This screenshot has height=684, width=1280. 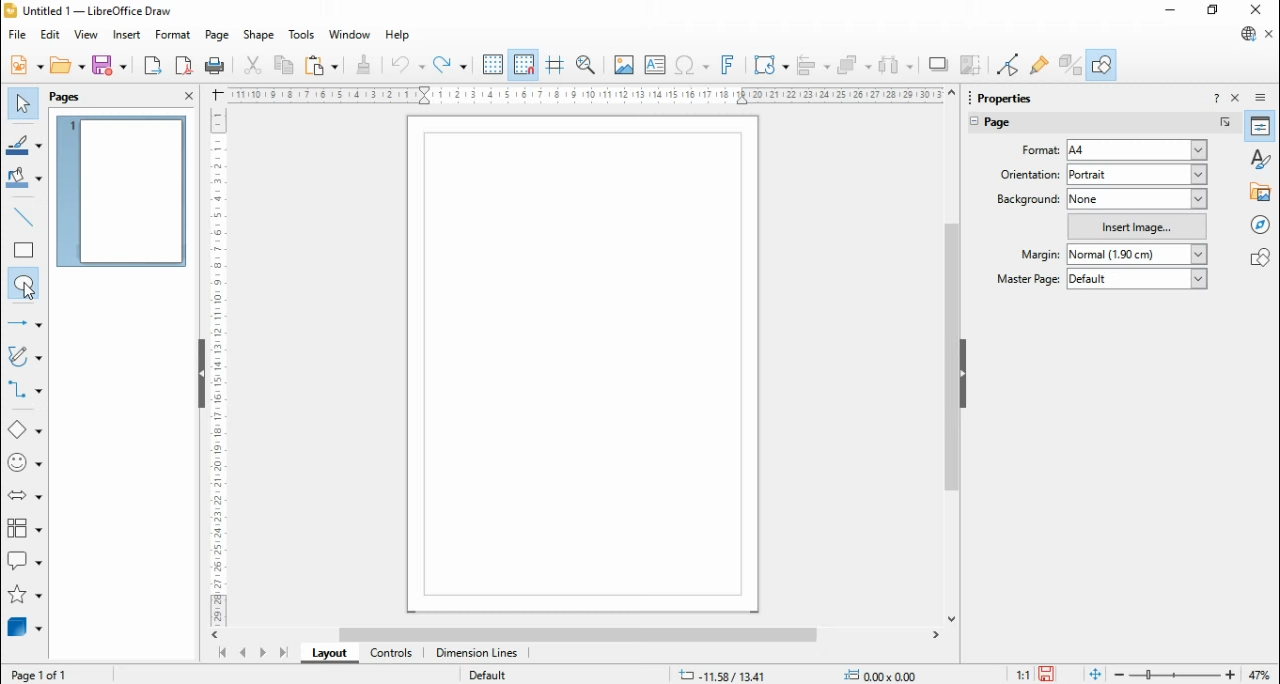 I want to click on tools, so click(x=303, y=36).